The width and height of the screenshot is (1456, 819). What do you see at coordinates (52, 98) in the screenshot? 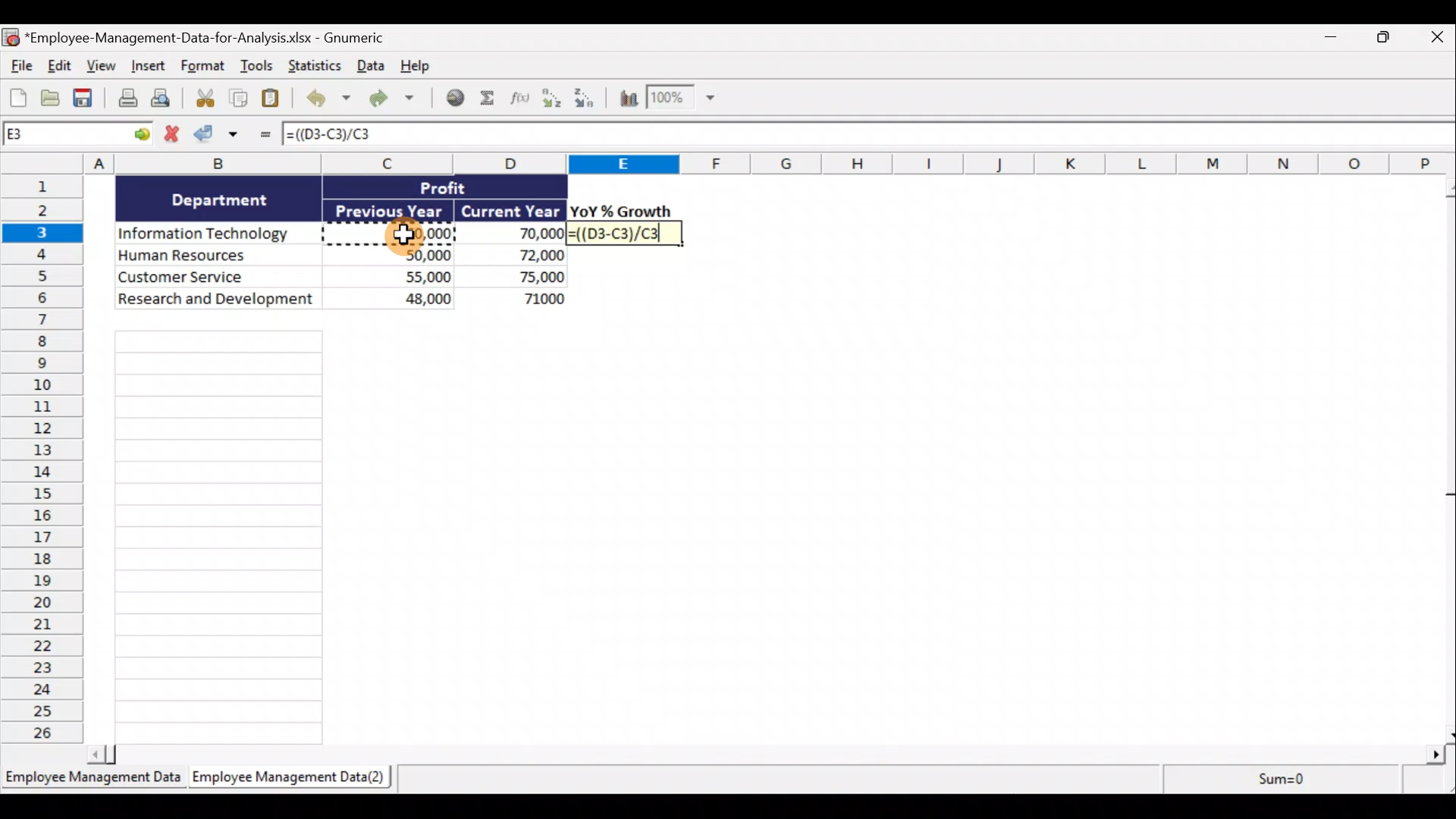
I see `Open a file` at bounding box center [52, 98].